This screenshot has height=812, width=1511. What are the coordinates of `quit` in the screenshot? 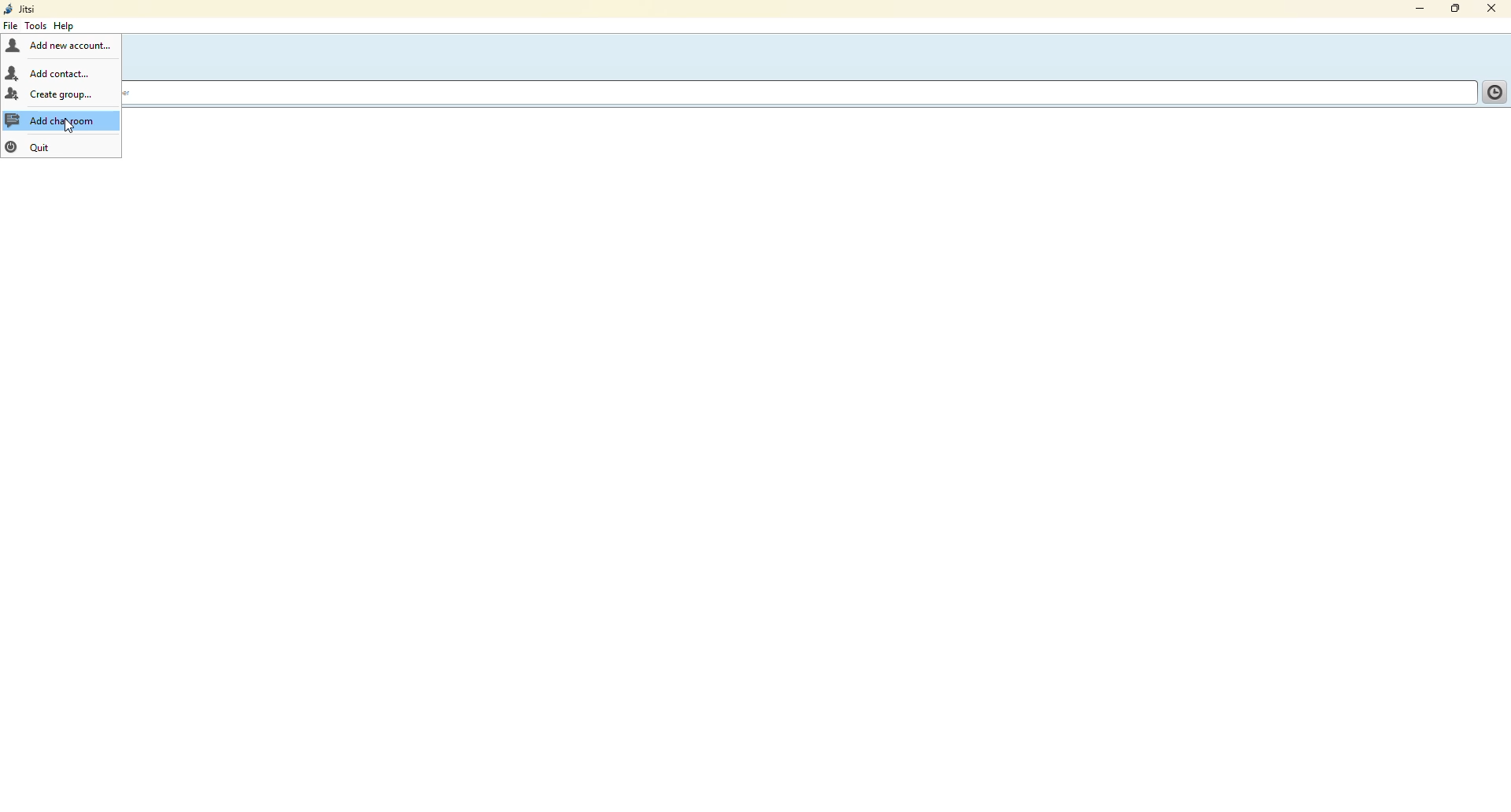 It's located at (33, 146).